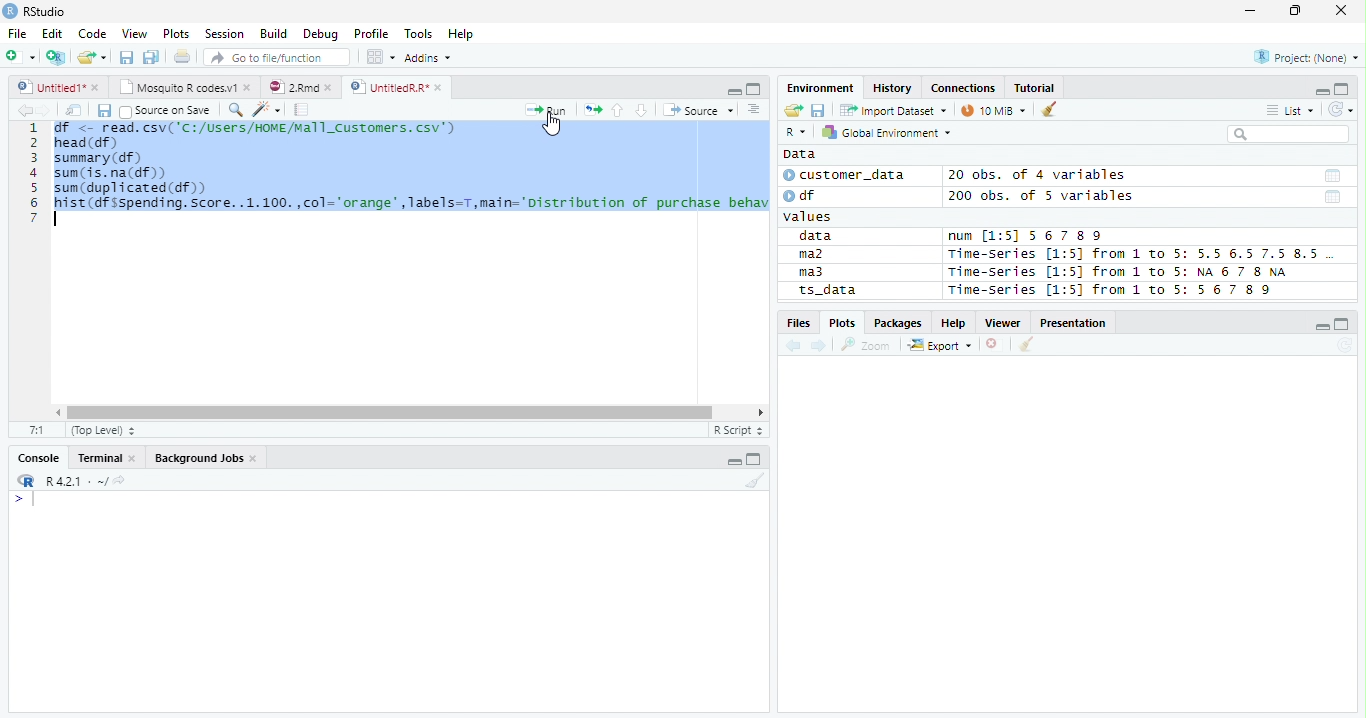 This screenshot has width=1366, height=718. Describe the element at coordinates (22, 110) in the screenshot. I see `Previous` at that location.